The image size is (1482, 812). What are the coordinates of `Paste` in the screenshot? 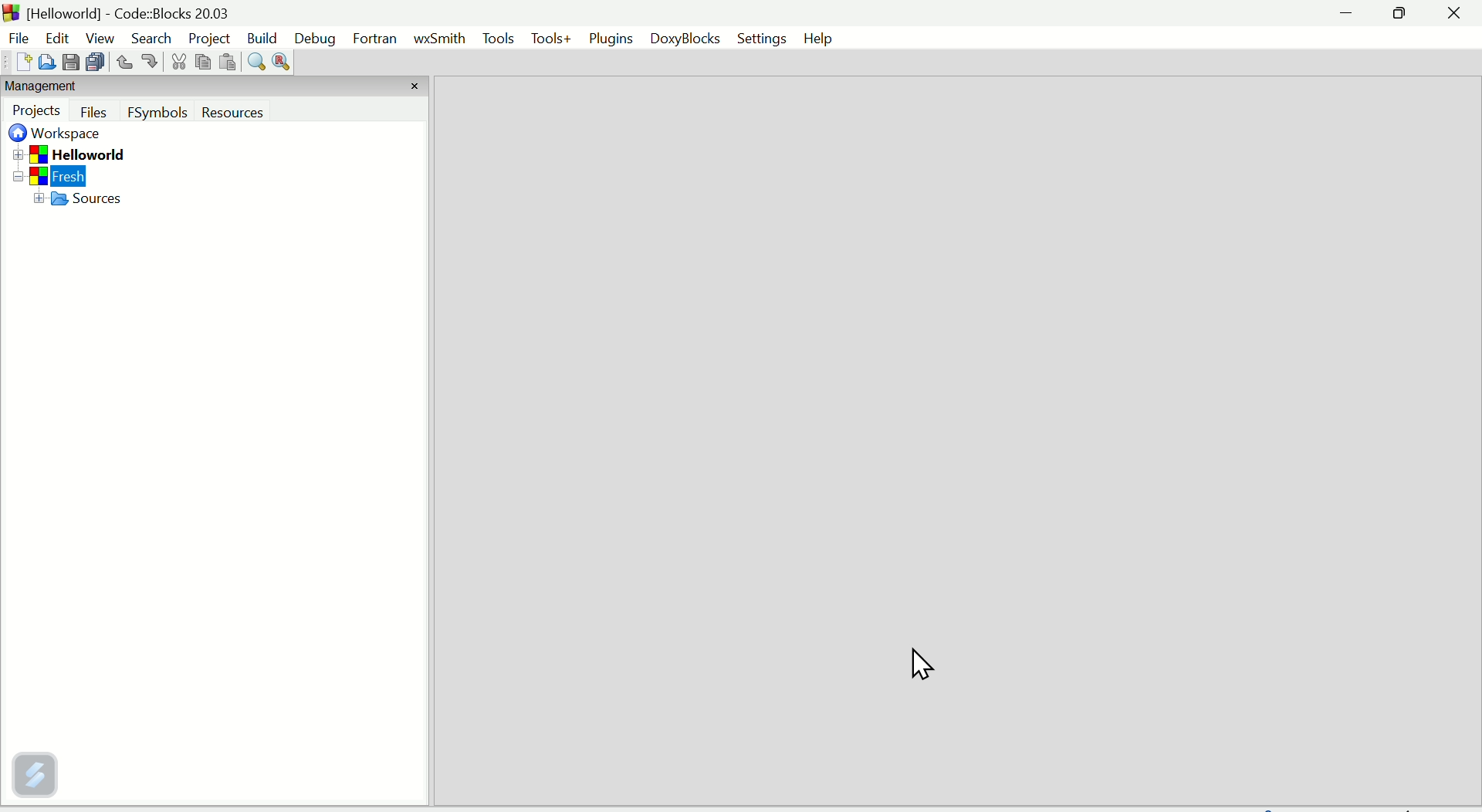 It's located at (226, 63).